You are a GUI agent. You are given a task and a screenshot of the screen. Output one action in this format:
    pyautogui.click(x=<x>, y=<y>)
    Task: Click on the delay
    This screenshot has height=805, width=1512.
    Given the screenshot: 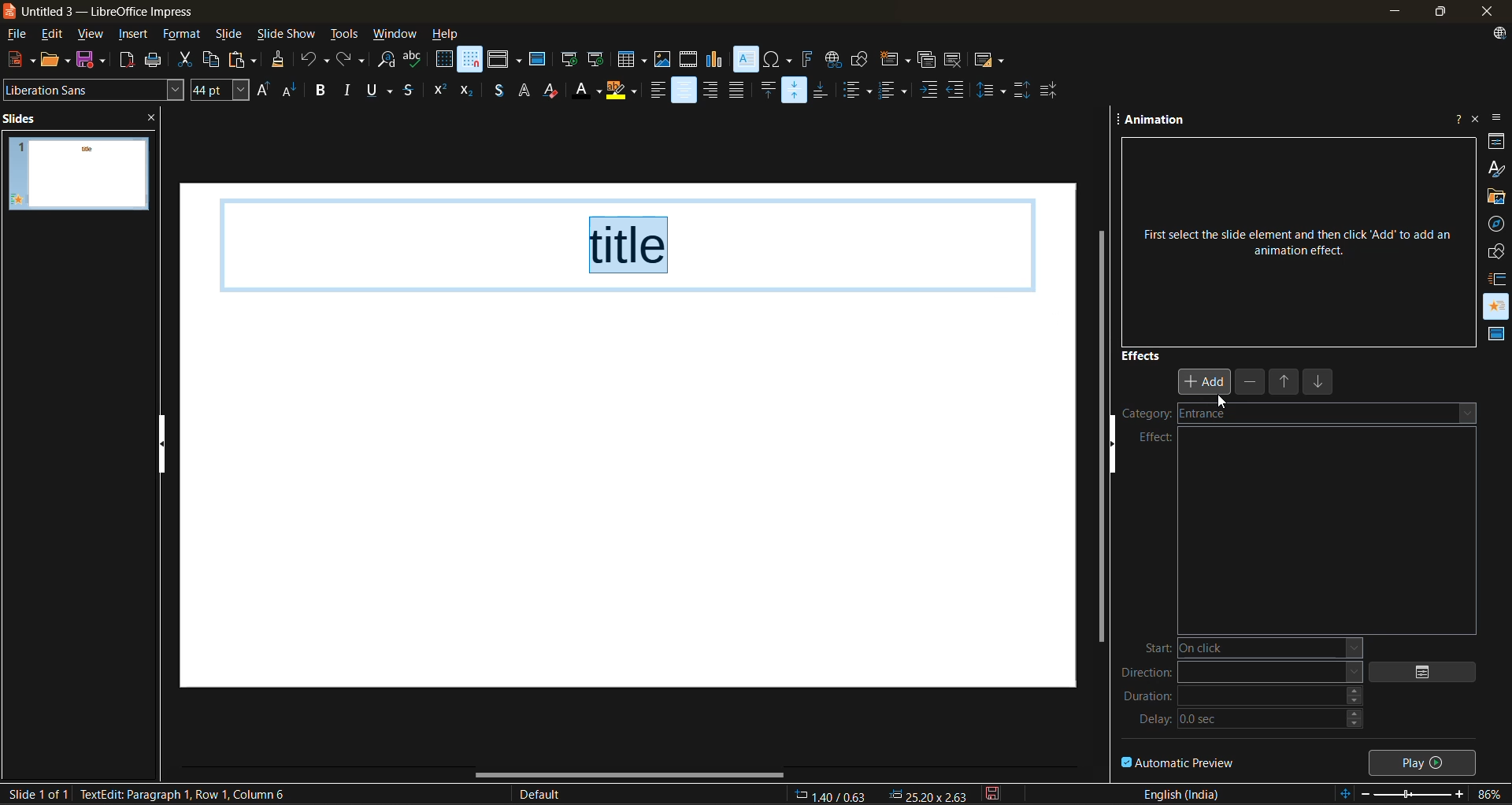 What is the action you would take?
    pyautogui.click(x=1253, y=723)
    